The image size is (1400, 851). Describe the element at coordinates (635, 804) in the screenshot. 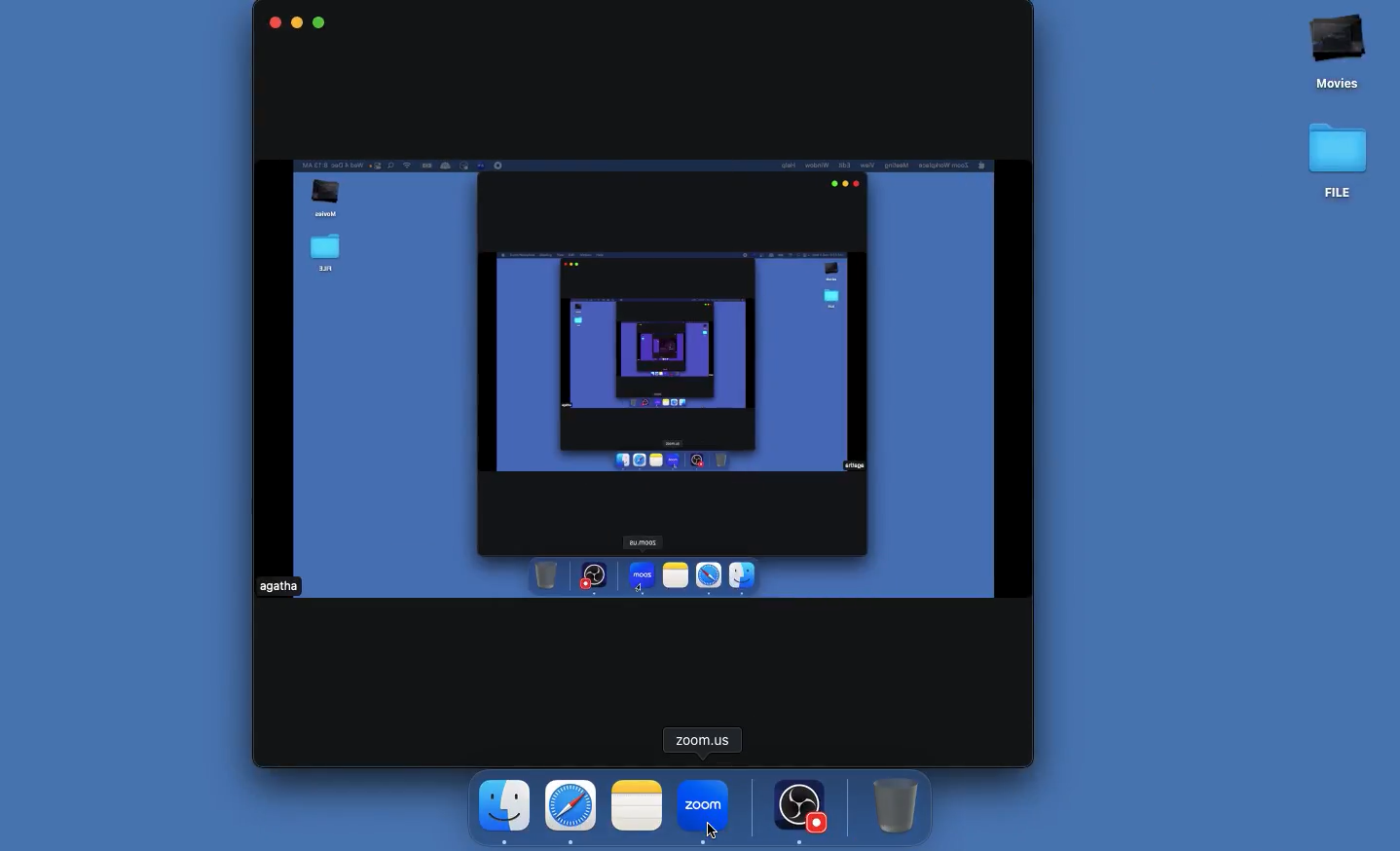

I see `Notes` at that location.